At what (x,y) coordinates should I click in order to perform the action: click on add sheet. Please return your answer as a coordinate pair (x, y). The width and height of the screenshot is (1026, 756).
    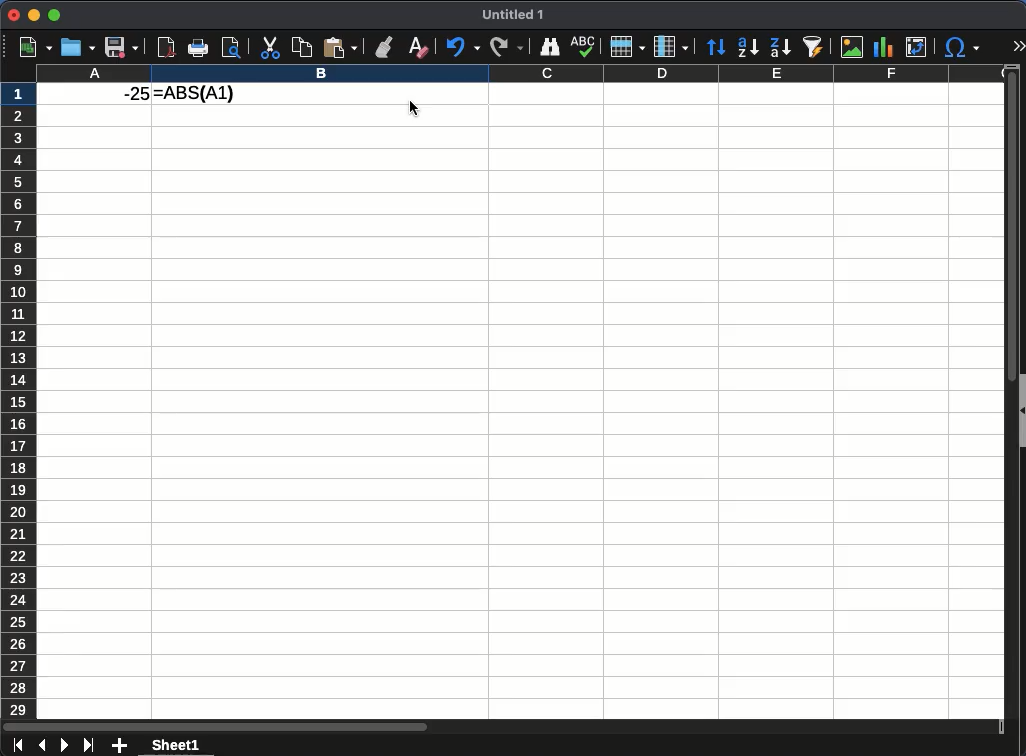
    Looking at the image, I should click on (120, 744).